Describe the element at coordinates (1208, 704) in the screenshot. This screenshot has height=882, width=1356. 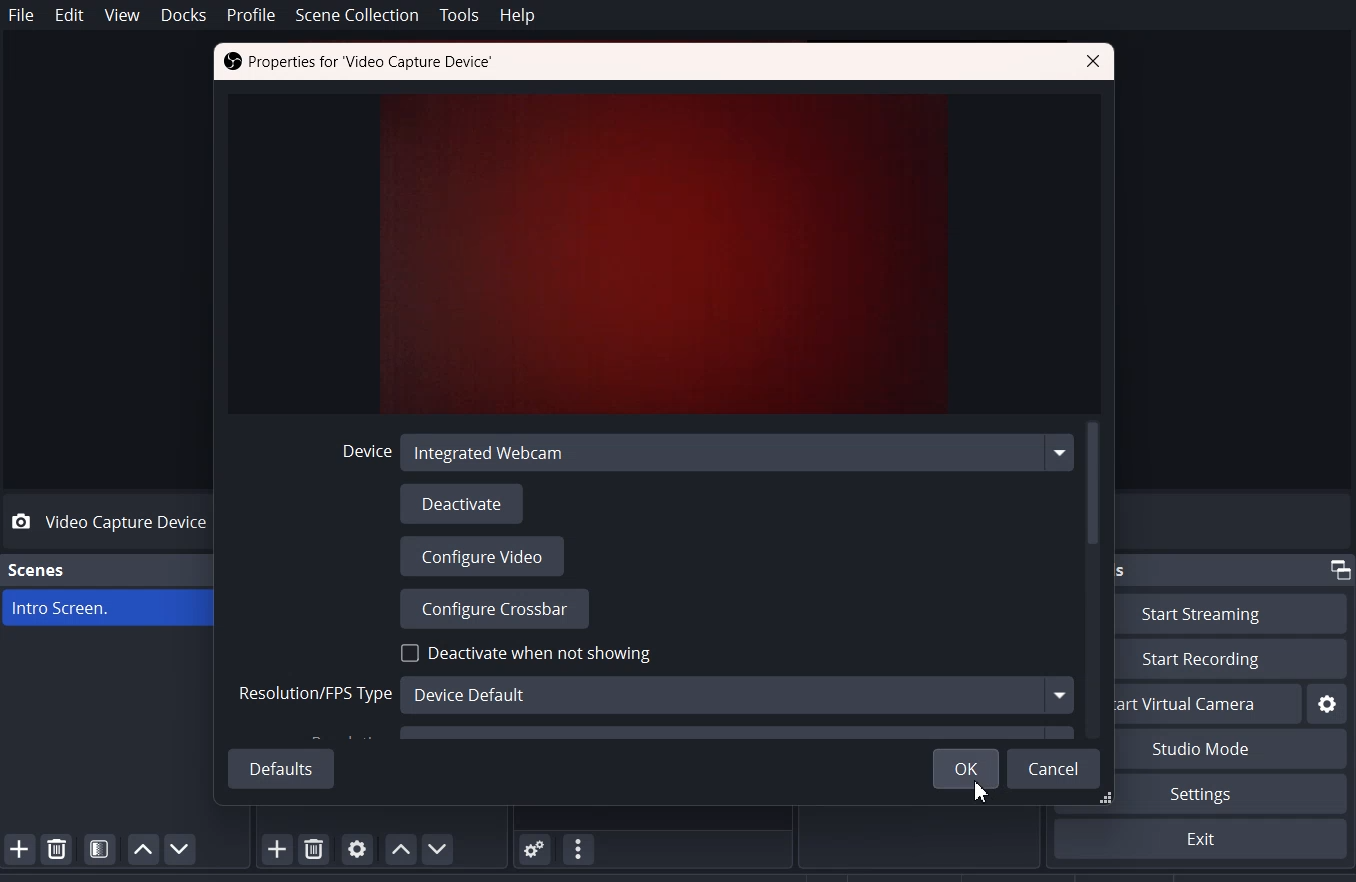
I see `Start Virtual camera` at that location.